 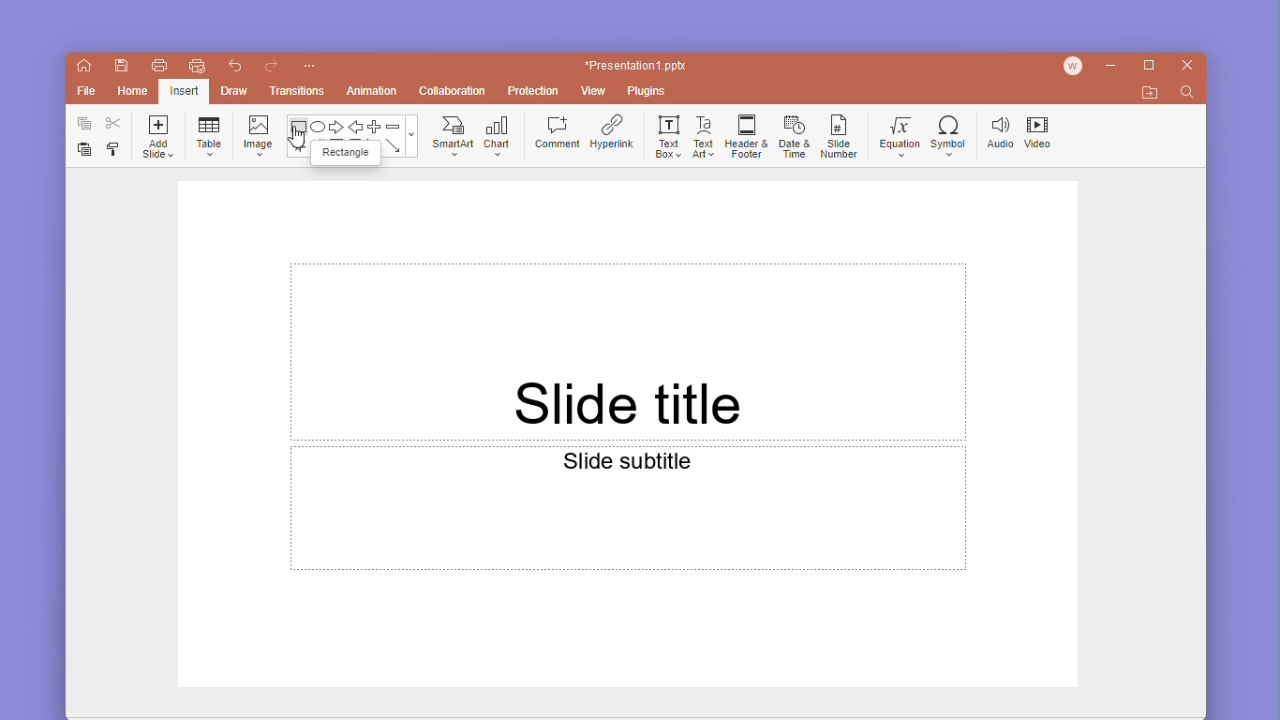 I want to click on hyperlink, so click(x=612, y=131).